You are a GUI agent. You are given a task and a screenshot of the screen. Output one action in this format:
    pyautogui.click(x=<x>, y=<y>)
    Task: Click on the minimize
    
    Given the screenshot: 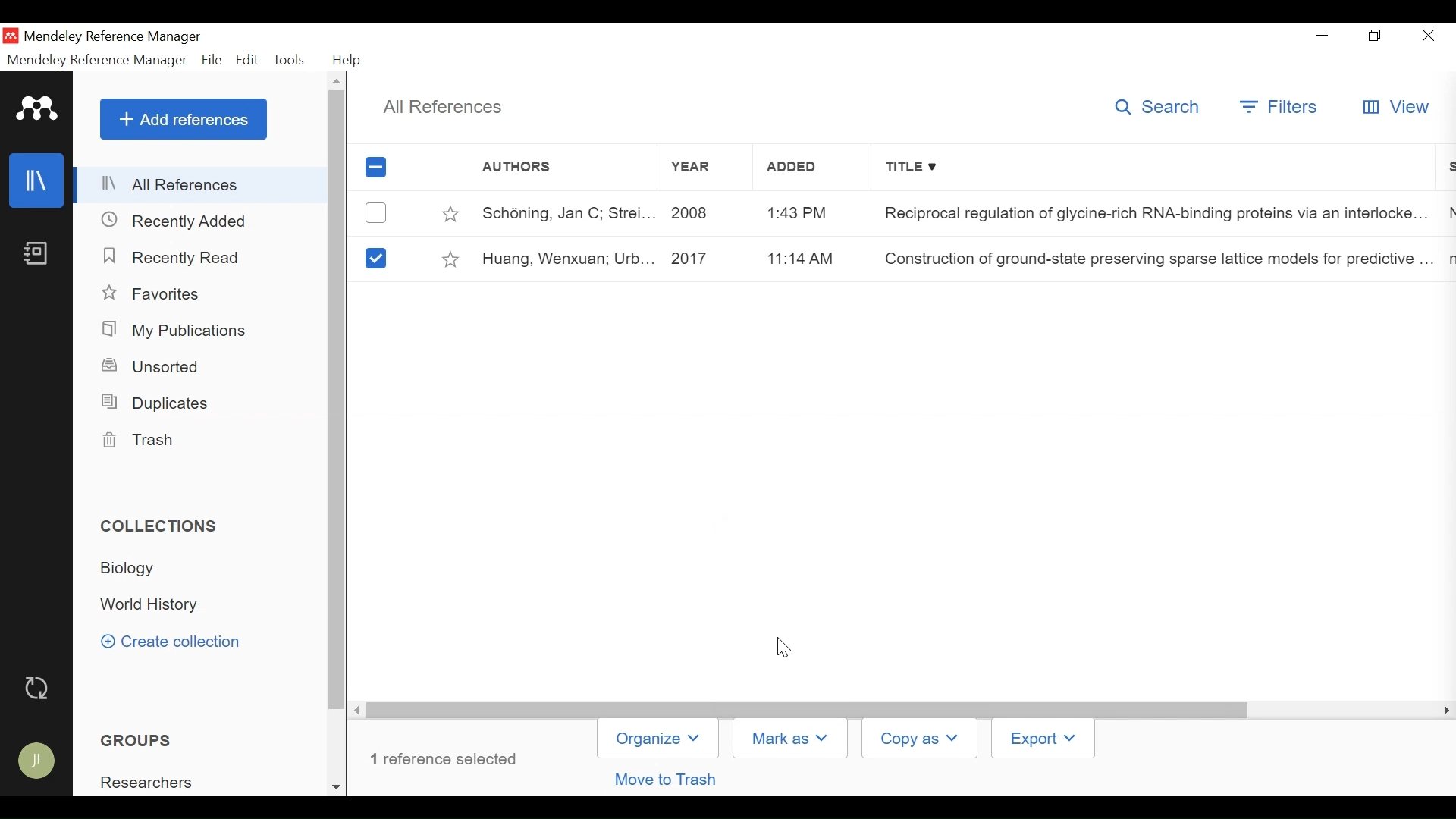 What is the action you would take?
    pyautogui.click(x=1325, y=36)
    